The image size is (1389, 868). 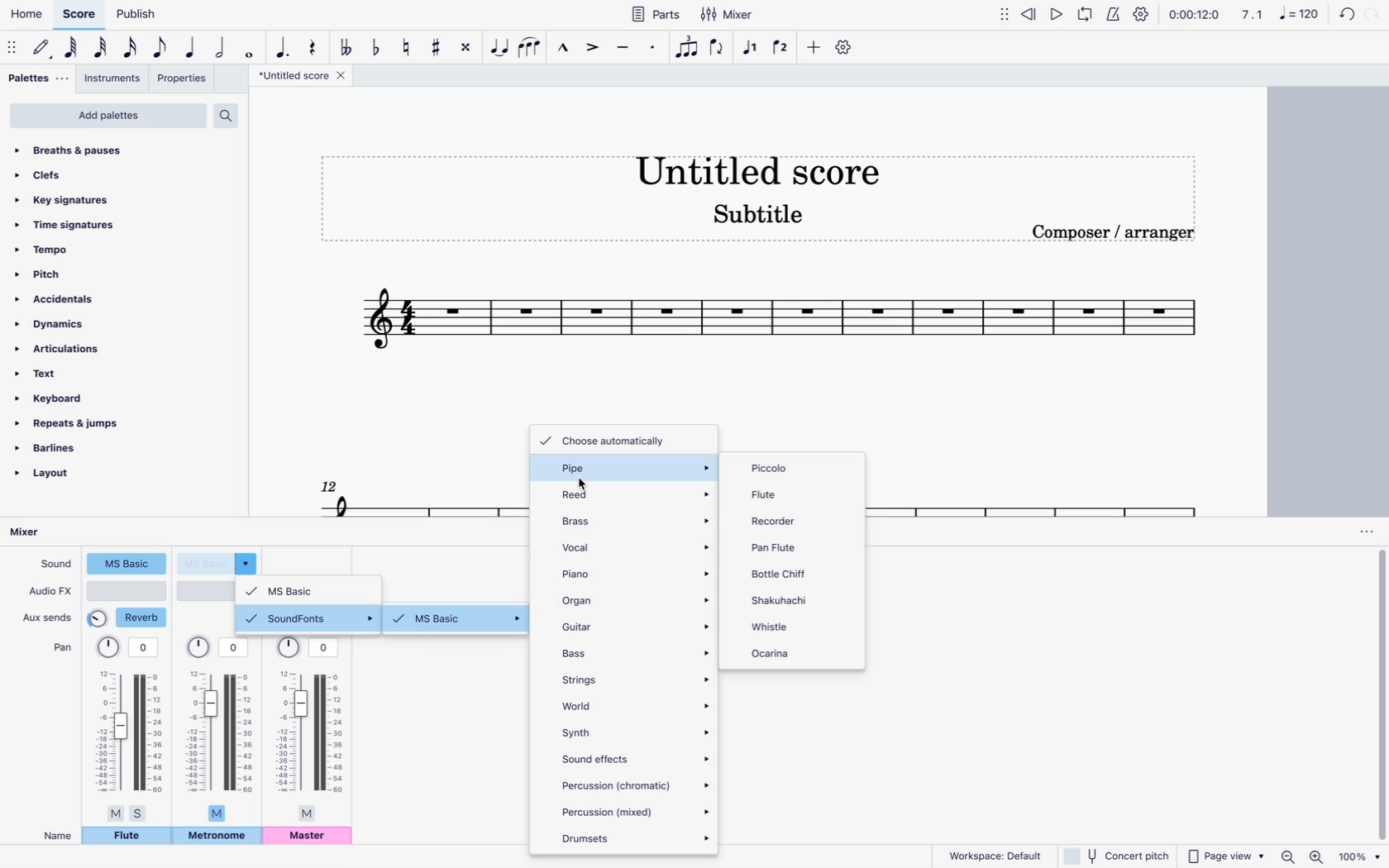 What do you see at coordinates (127, 838) in the screenshot?
I see `flute` at bounding box center [127, 838].